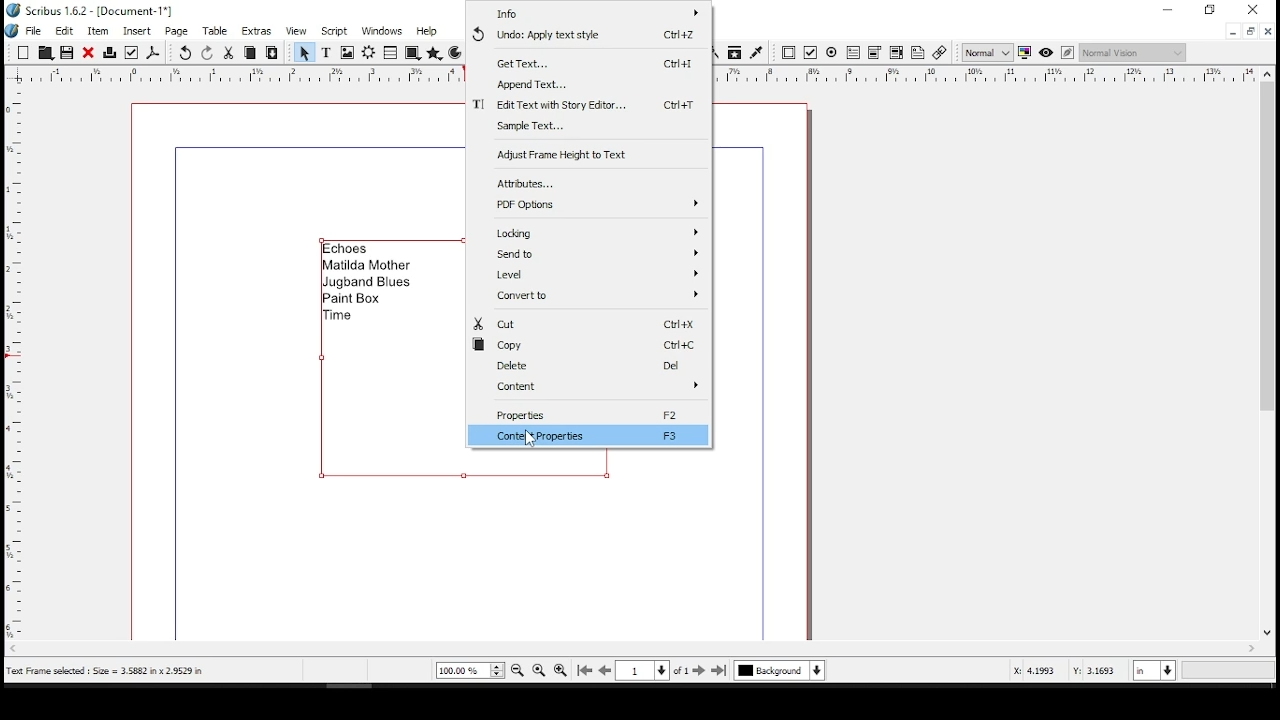 Image resolution: width=1280 pixels, height=720 pixels. Describe the element at coordinates (390, 53) in the screenshot. I see `table` at that location.